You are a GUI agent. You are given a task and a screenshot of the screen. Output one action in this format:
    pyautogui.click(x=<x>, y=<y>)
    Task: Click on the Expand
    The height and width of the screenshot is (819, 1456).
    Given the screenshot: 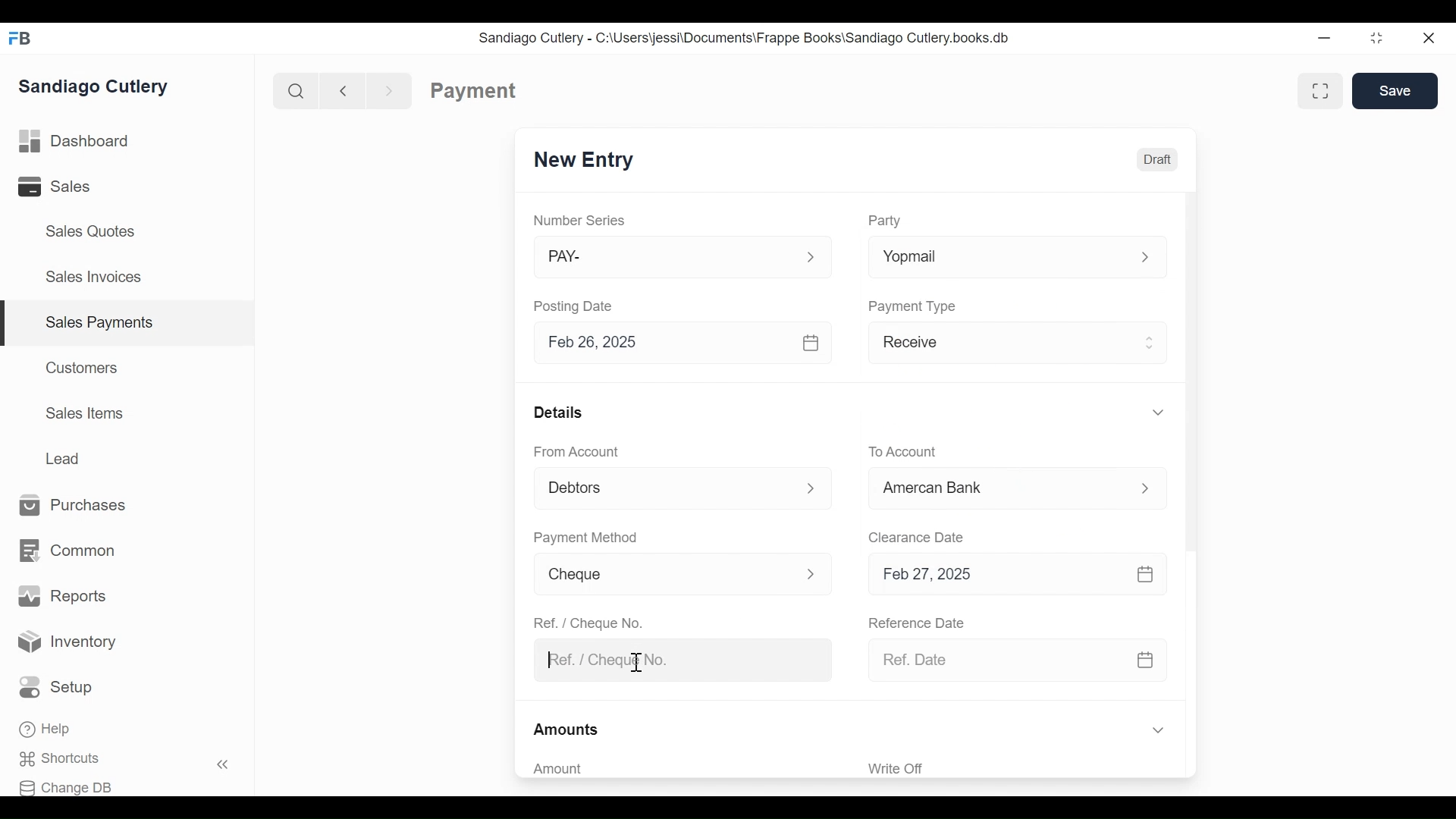 What is the action you would take?
    pyautogui.click(x=811, y=573)
    